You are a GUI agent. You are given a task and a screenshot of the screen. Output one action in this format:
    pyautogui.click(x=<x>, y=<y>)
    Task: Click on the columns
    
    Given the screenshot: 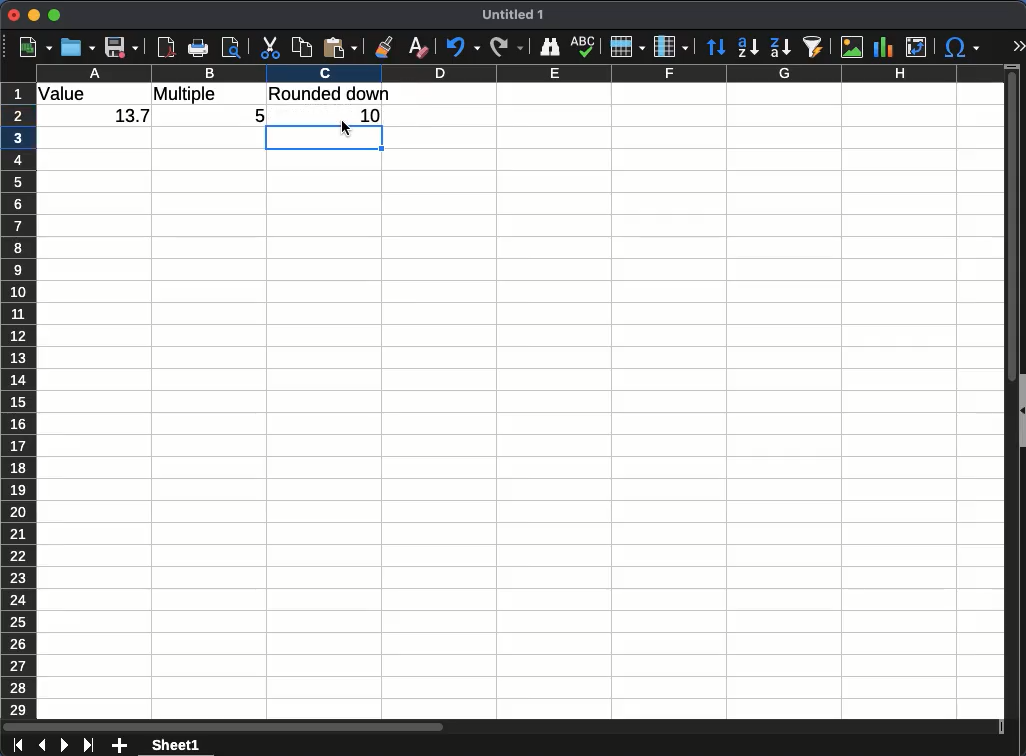 What is the action you would take?
    pyautogui.click(x=671, y=47)
    